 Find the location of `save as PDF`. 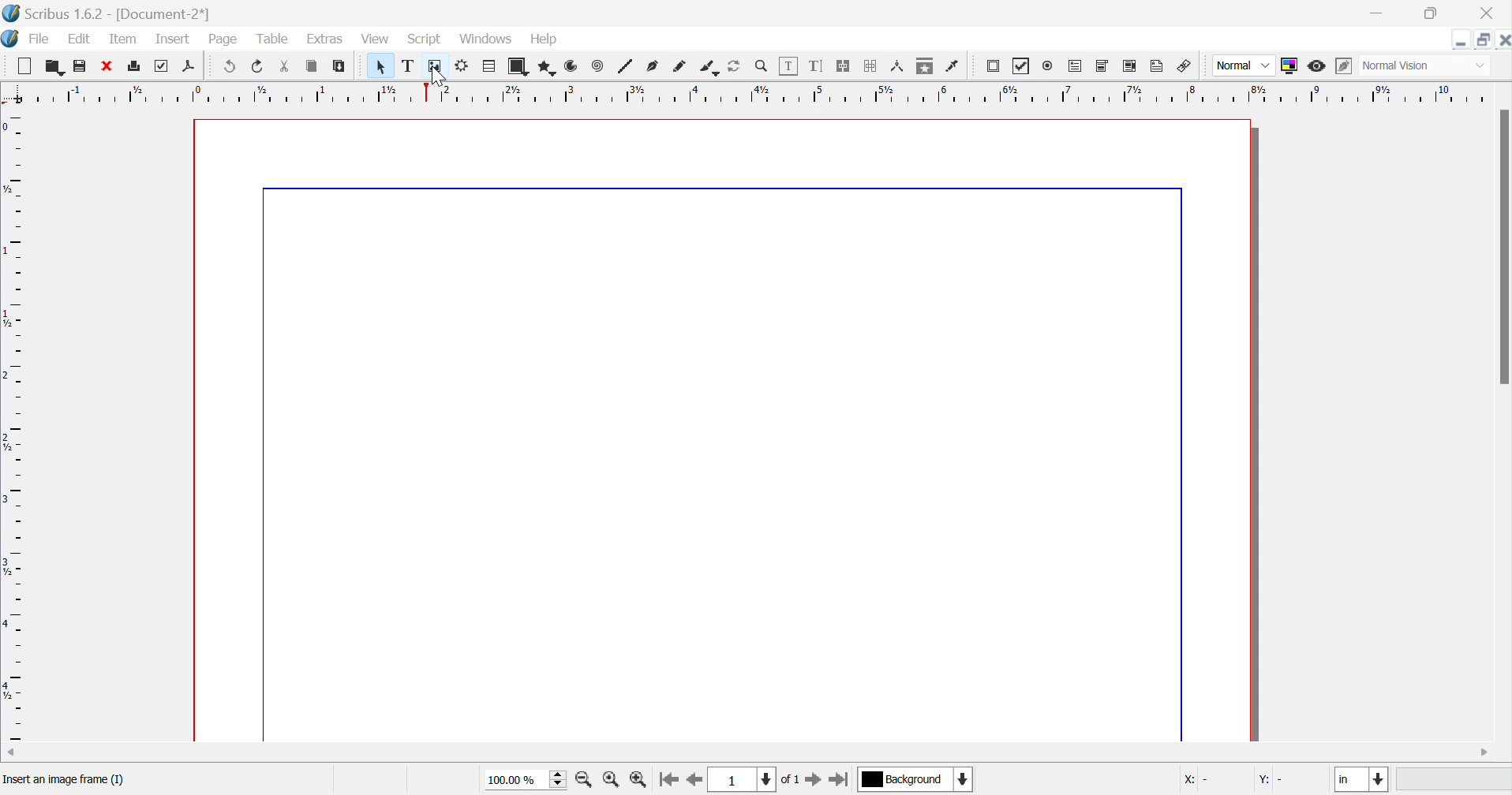

save as PDF is located at coordinates (188, 68).